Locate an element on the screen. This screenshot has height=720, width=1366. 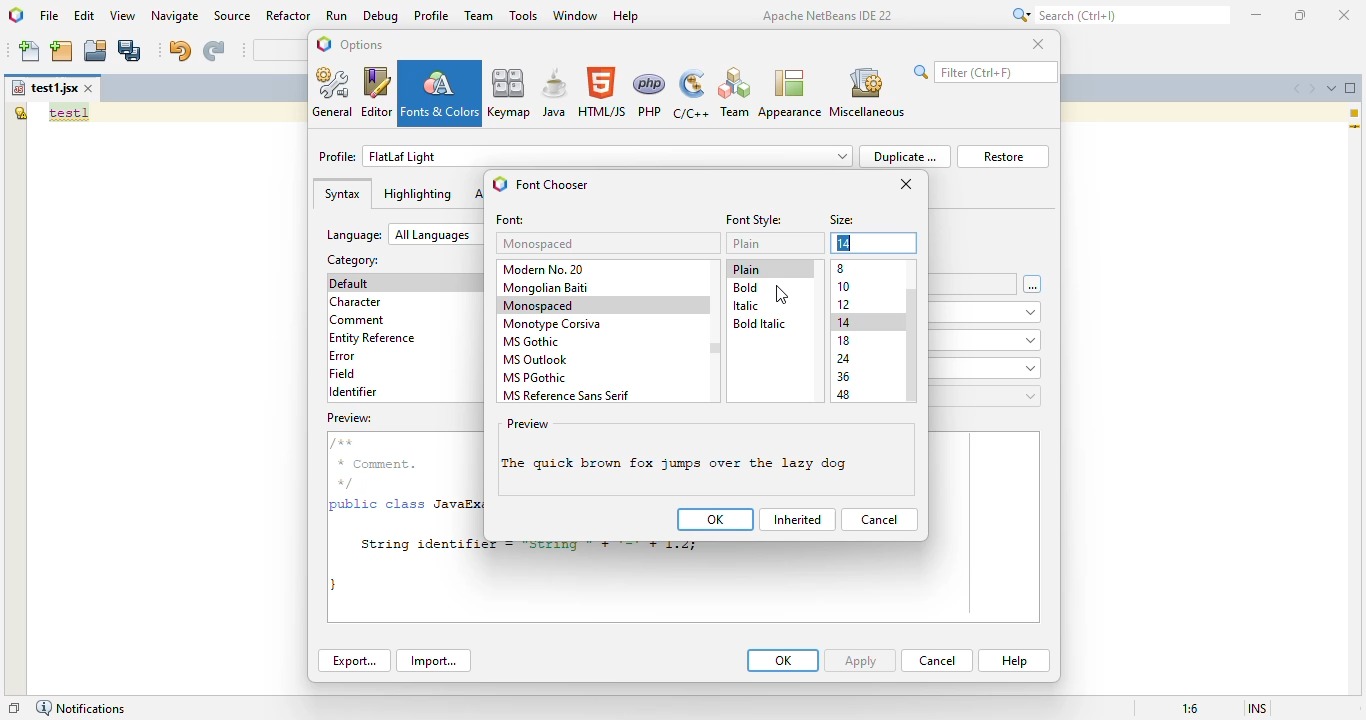
error is located at coordinates (342, 356).